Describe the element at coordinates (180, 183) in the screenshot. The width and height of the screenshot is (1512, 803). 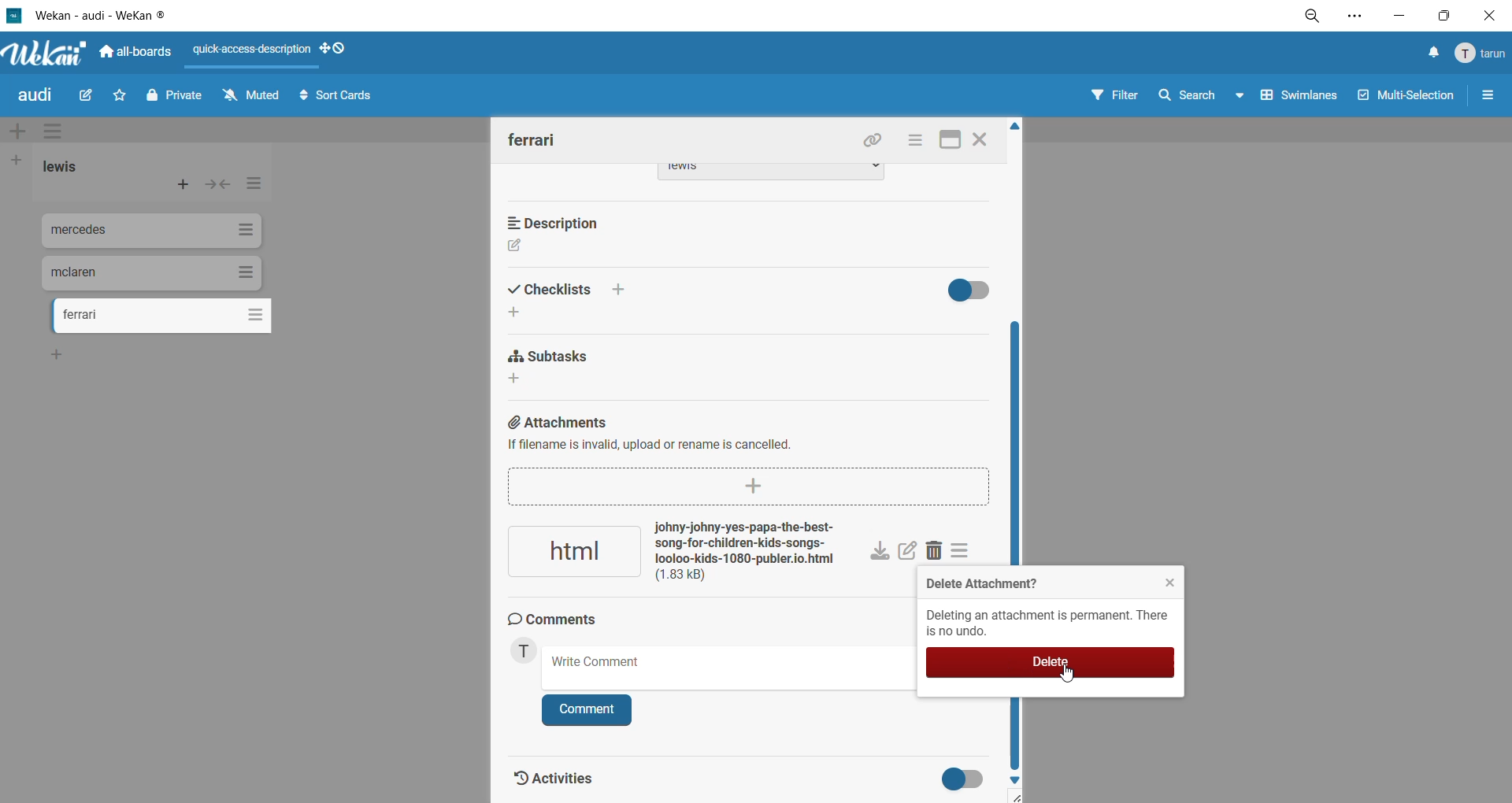
I see `add card` at that location.